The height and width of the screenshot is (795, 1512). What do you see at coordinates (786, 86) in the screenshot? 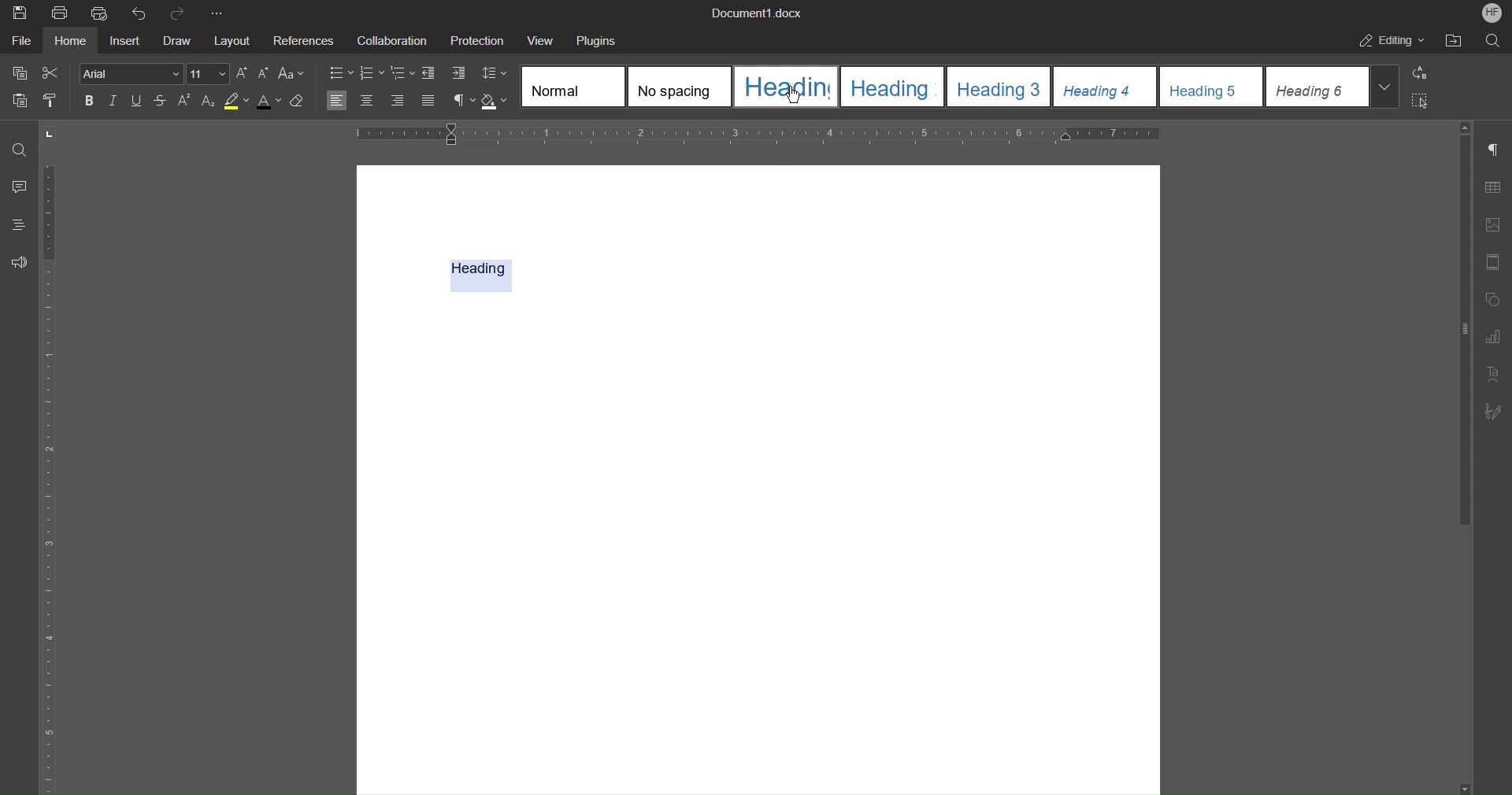
I see `Heading 1` at bounding box center [786, 86].